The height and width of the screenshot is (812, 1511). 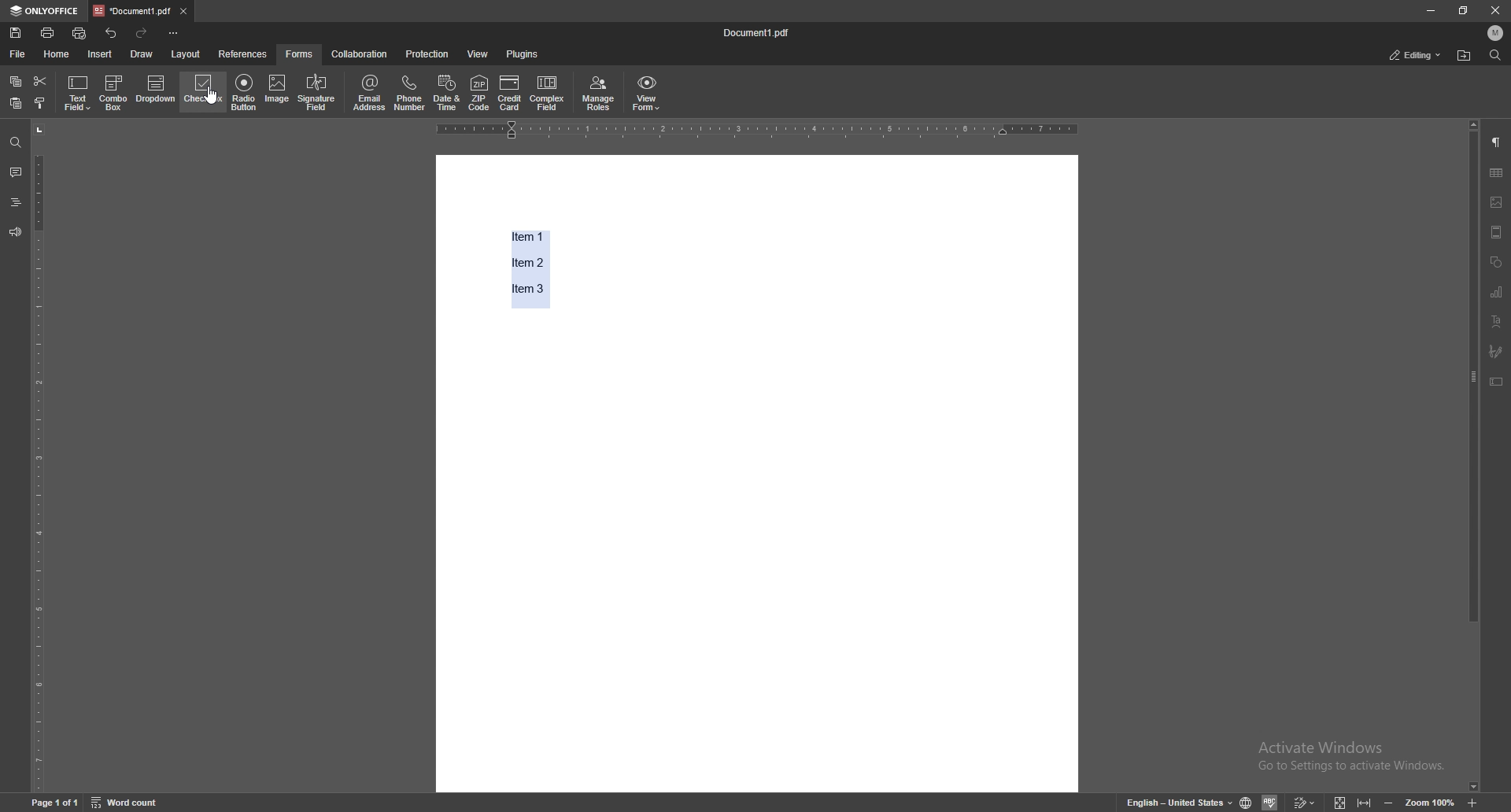 I want to click on collaboration, so click(x=358, y=54).